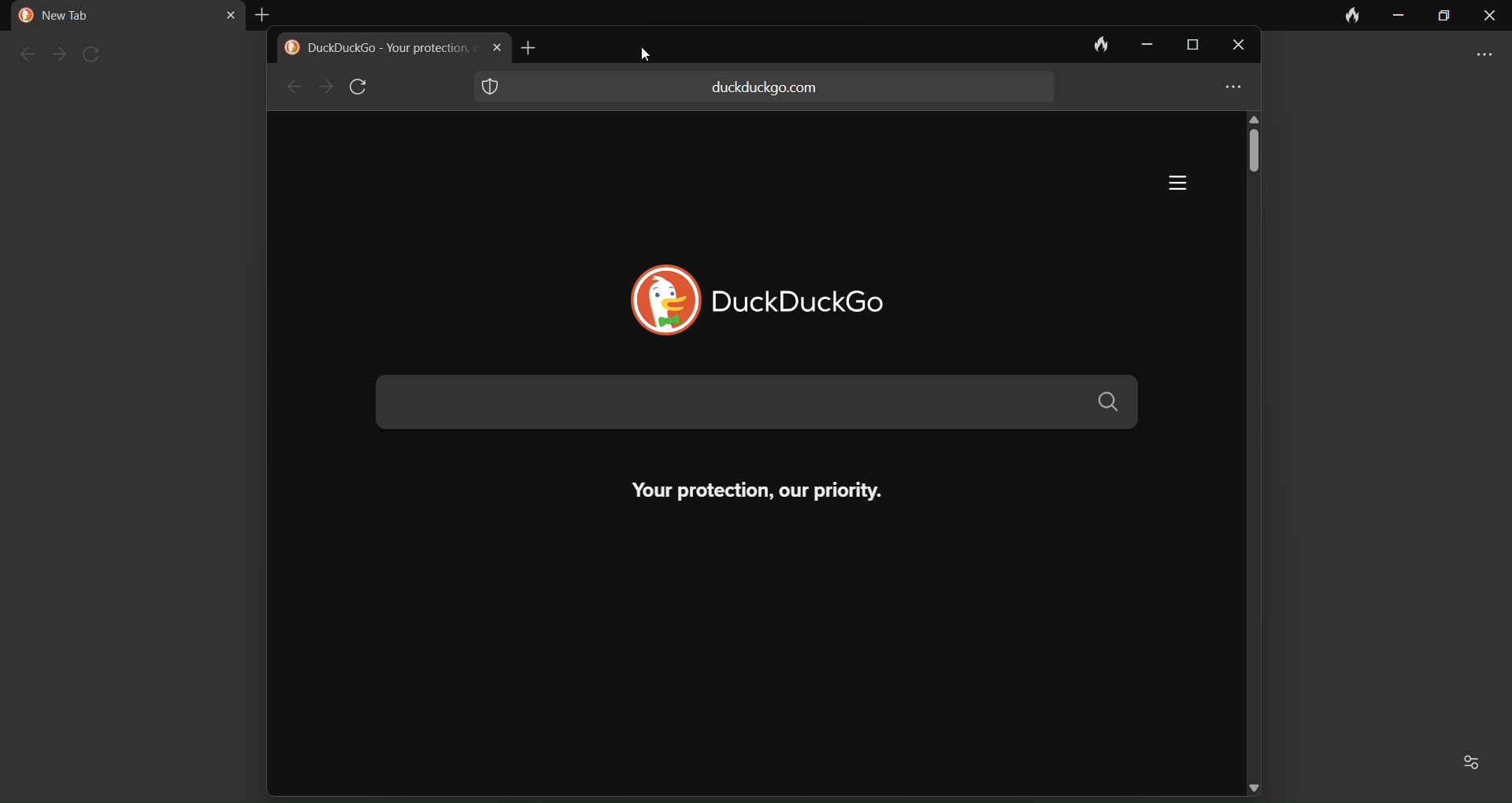  Describe the element at coordinates (291, 87) in the screenshot. I see `back` at that location.